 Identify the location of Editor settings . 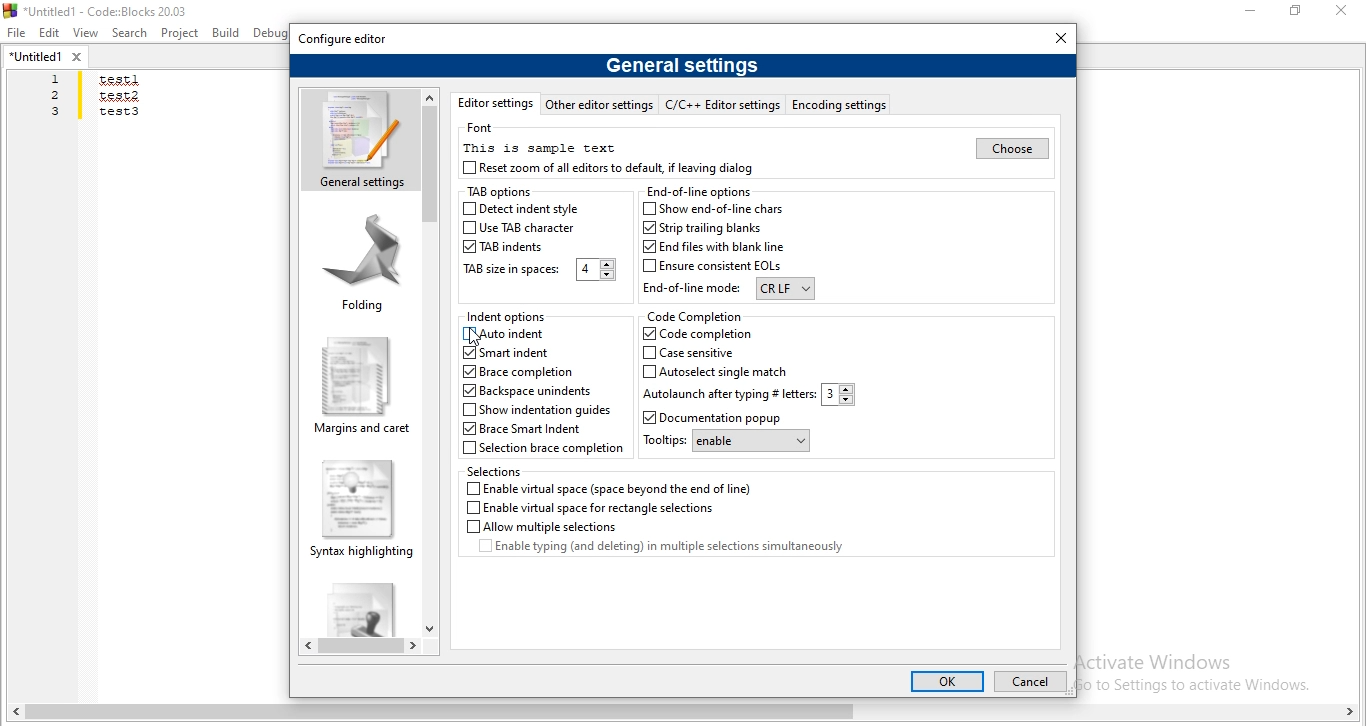
(494, 103).